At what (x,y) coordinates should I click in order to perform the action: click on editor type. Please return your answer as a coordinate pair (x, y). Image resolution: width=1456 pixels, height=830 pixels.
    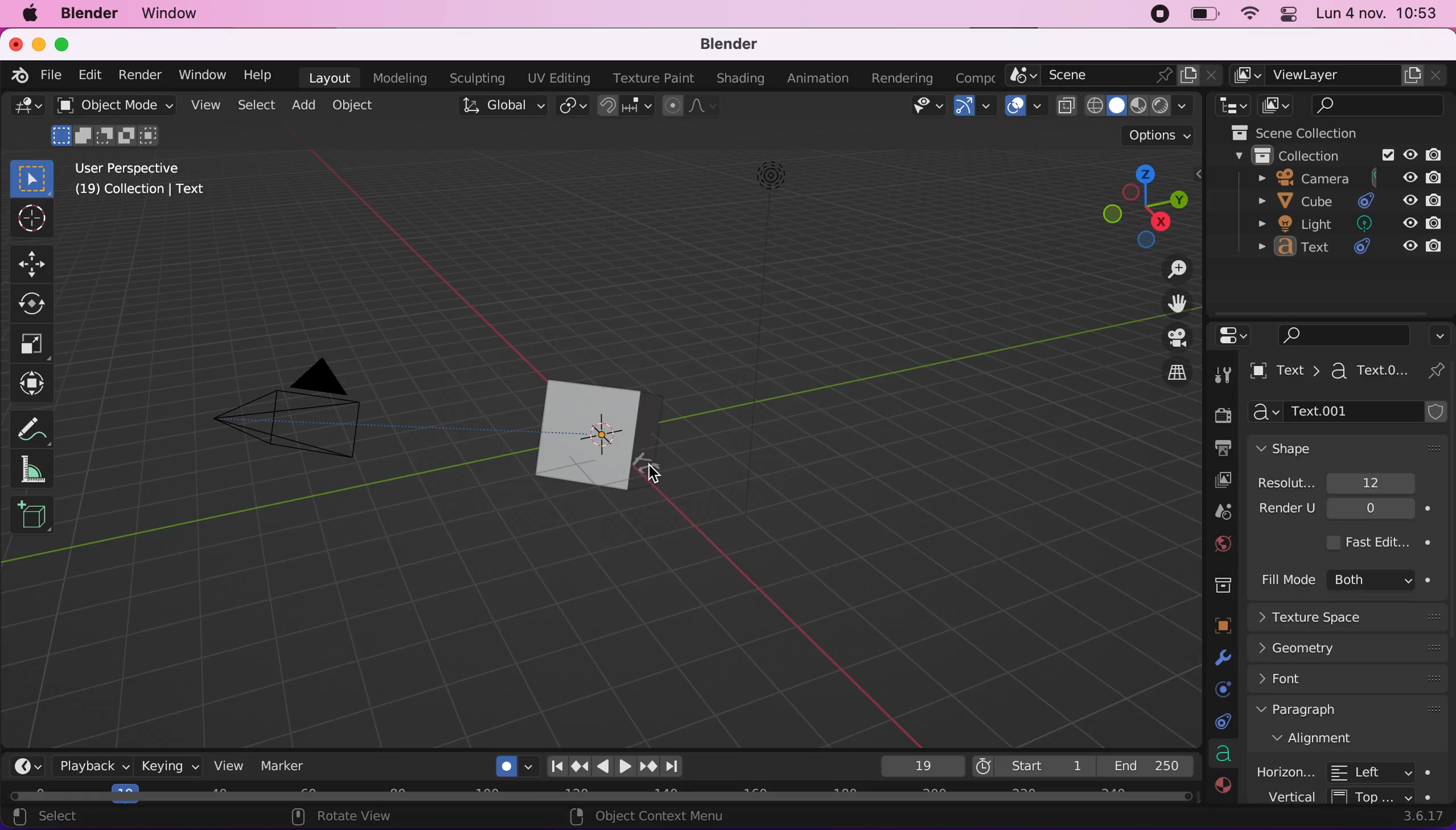
    Looking at the image, I should click on (29, 763).